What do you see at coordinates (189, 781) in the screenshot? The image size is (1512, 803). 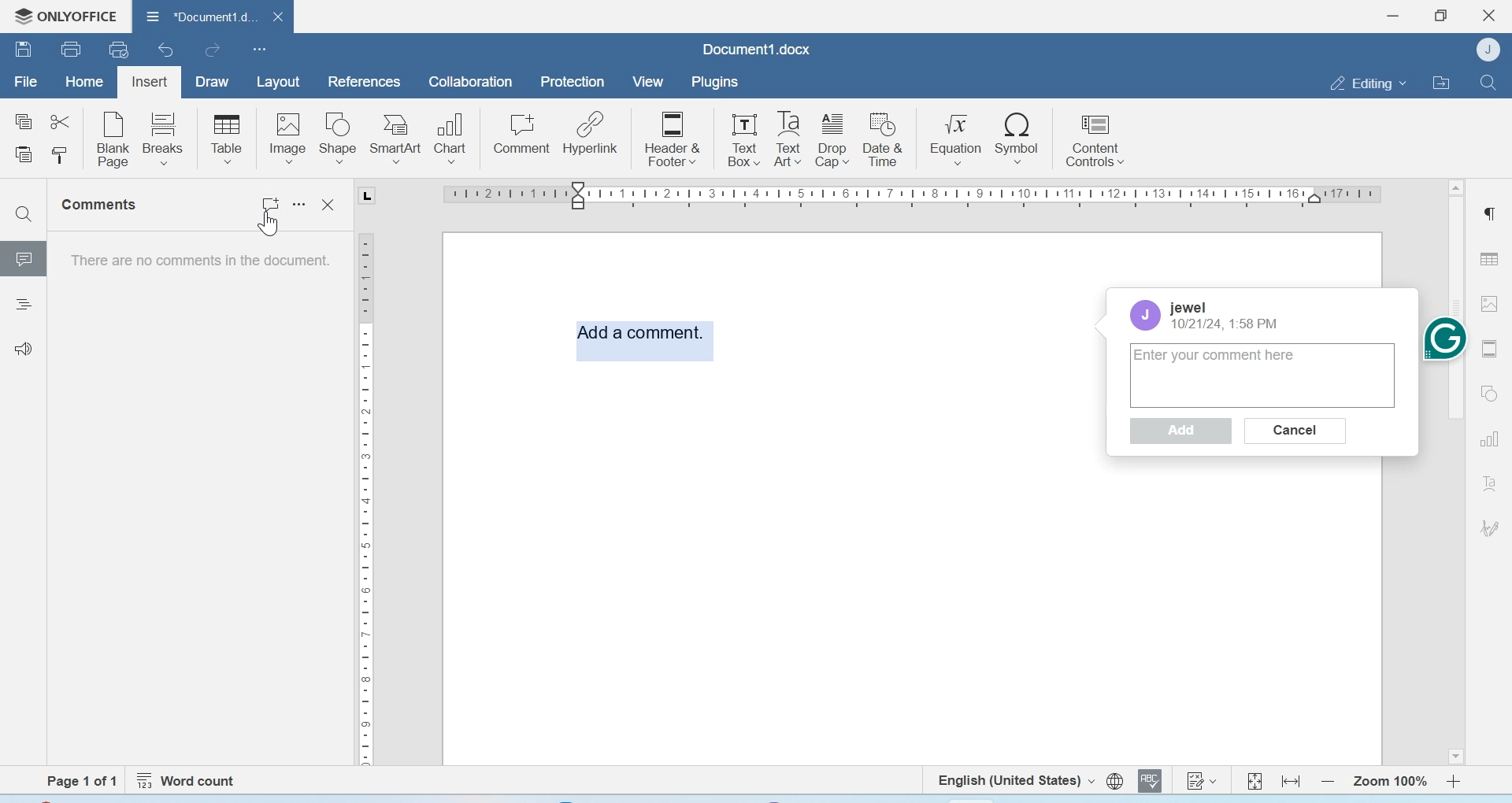 I see `Word count` at bounding box center [189, 781].